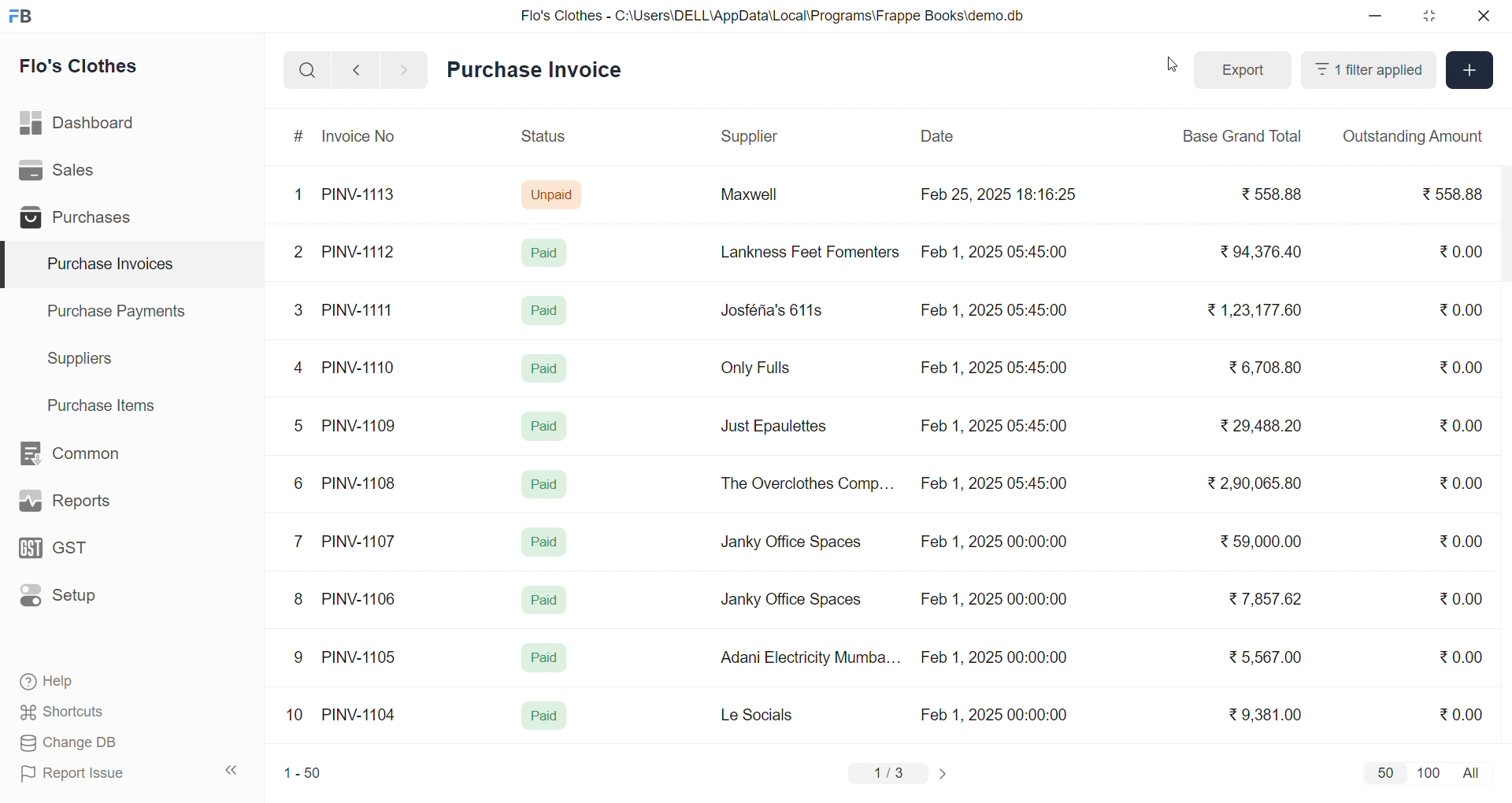 The width and height of the screenshot is (1512, 803). What do you see at coordinates (406, 68) in the screenshot?
I see `navigate forward` at bounding box center [406, 68].